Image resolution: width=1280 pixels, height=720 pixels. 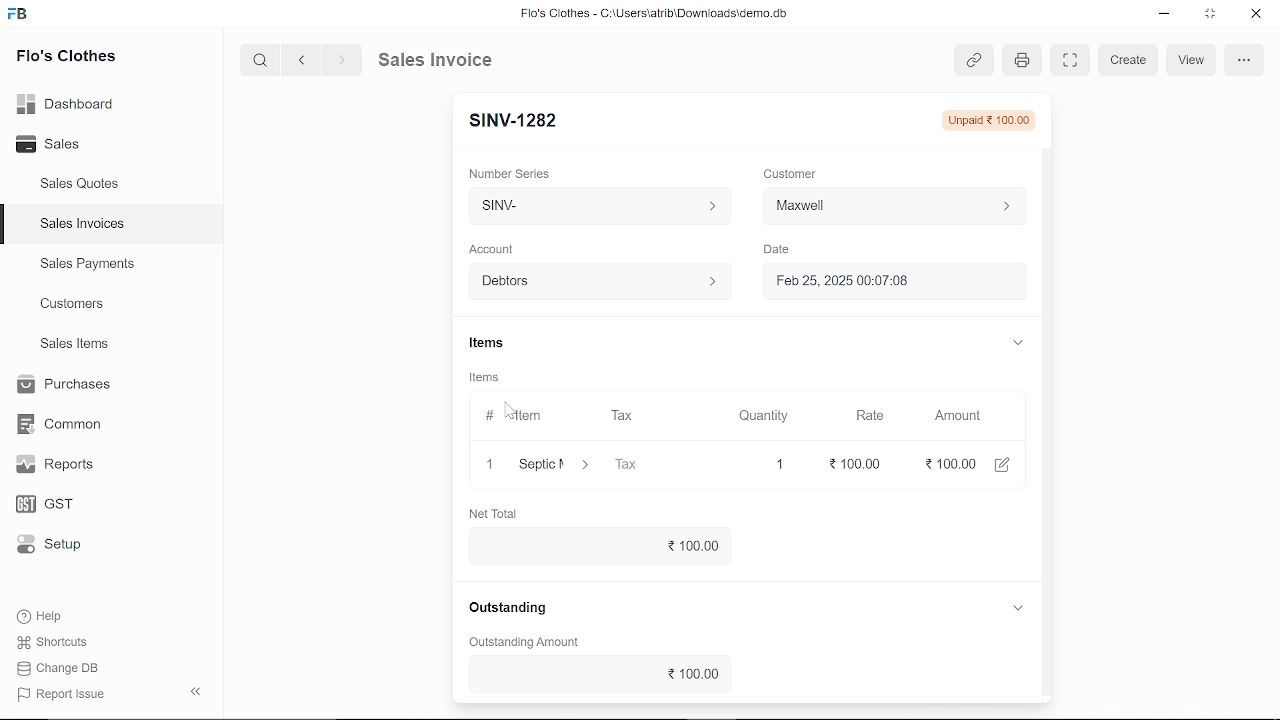 I want to click on Insert number series, so click(x=601, y=203).